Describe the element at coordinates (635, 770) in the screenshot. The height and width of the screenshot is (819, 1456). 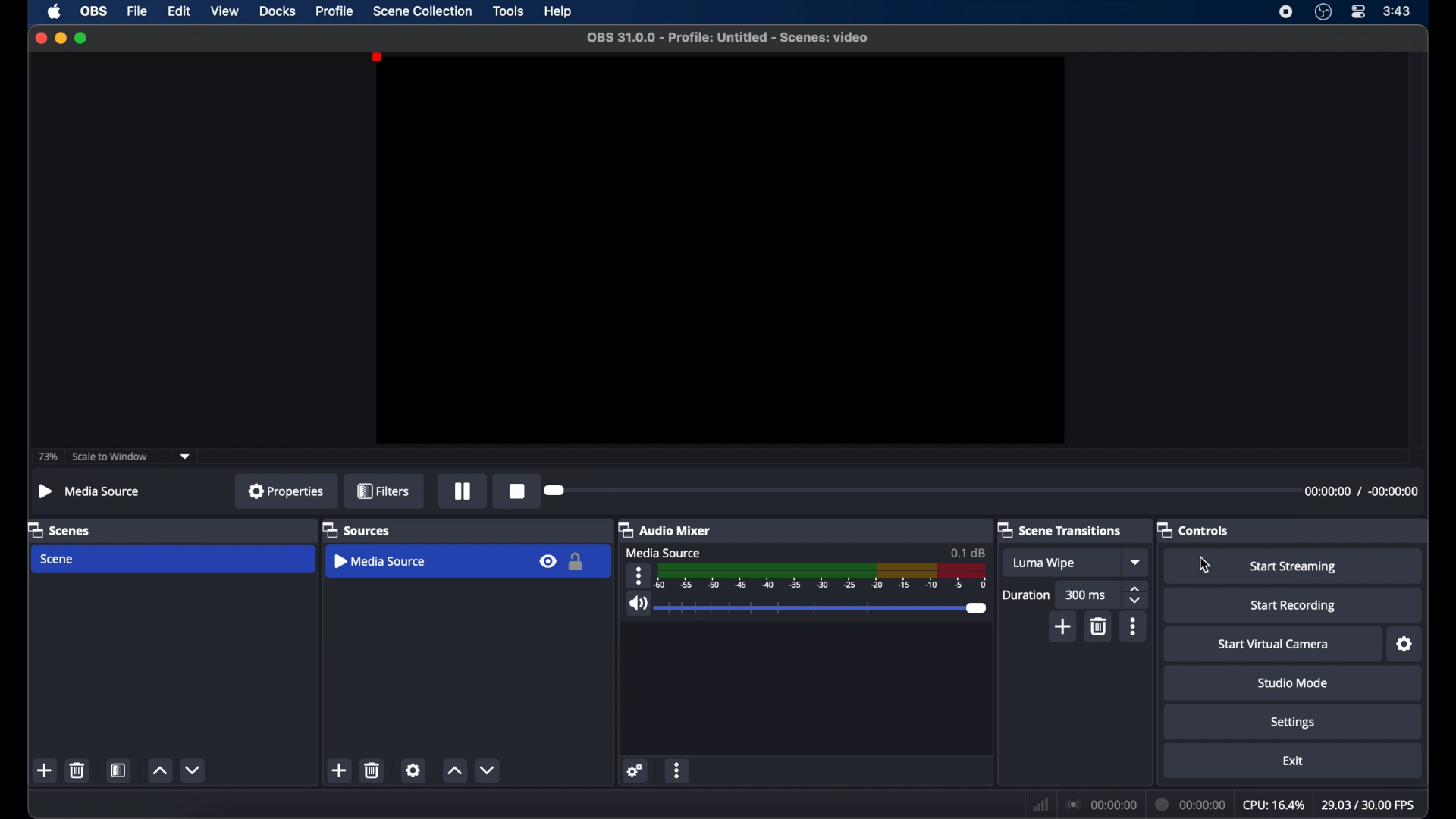
I see `settings` at that location.